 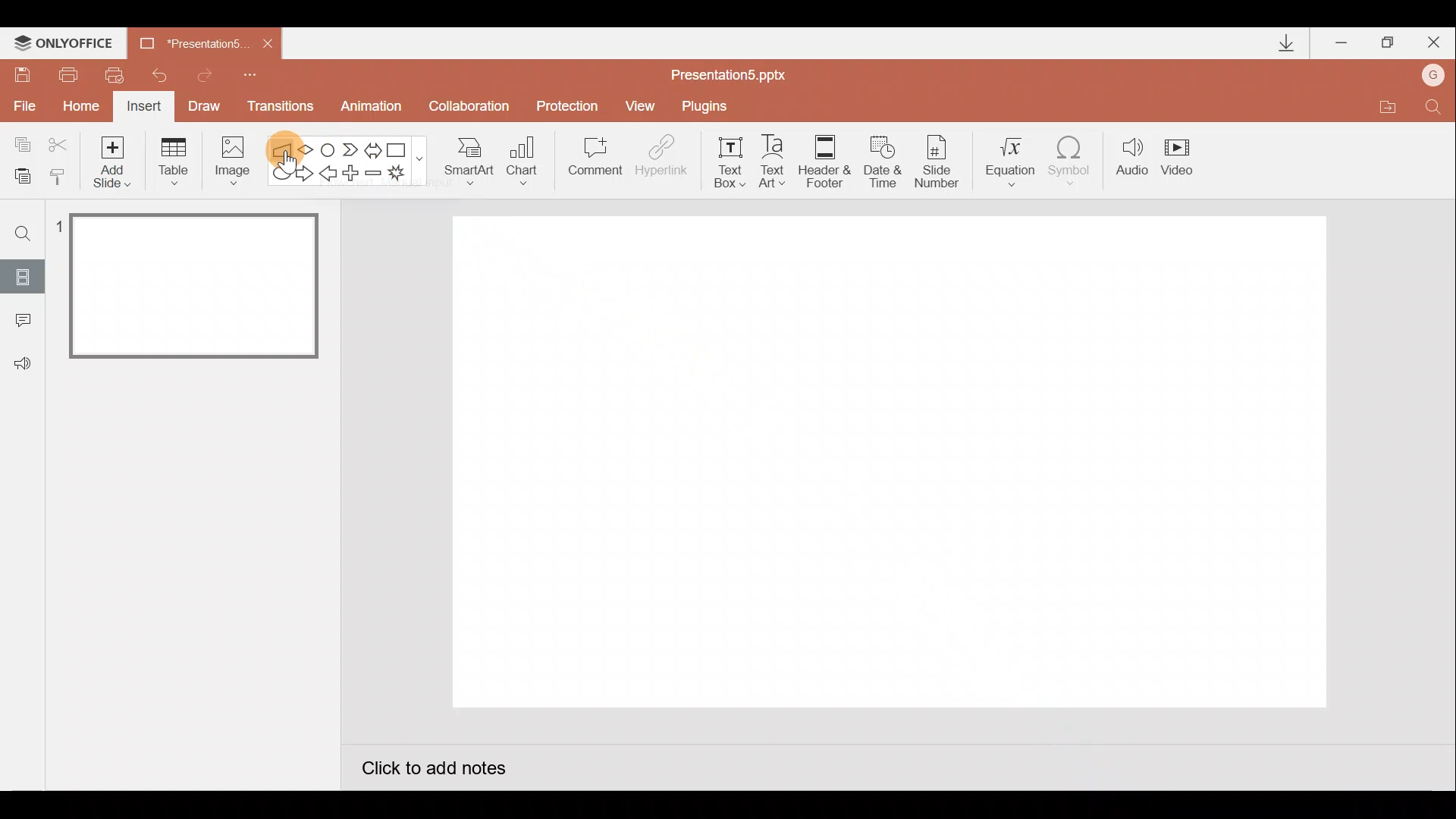 What do you see at coordinates (65, 74) in the screenshot?
I see `Print file` at bounding box center [65, 74].